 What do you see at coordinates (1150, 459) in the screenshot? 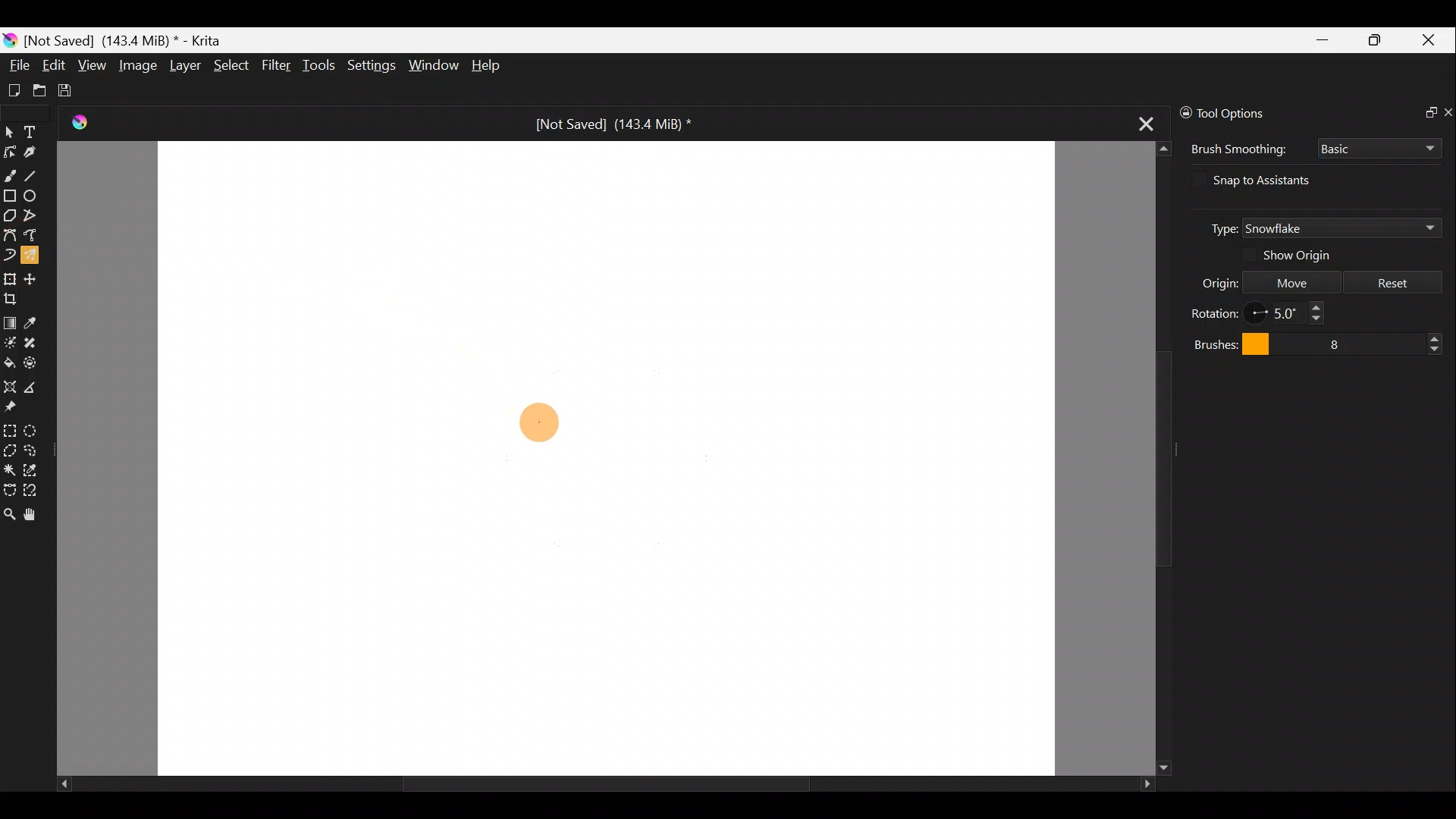
I see `Scroll bar` at bounding box center [1150, 459].